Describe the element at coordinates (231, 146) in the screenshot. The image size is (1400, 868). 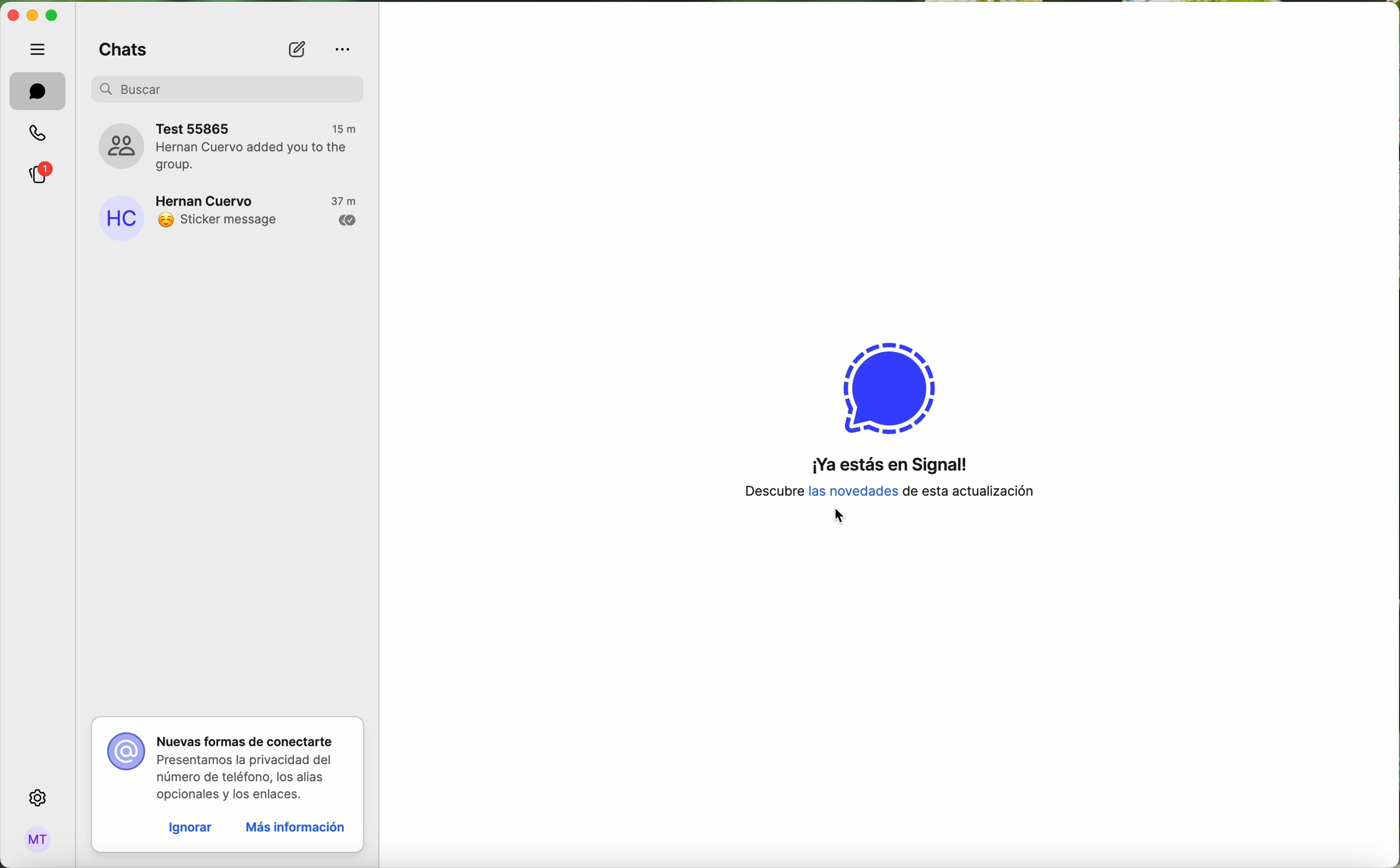
I see `test group` at that location.